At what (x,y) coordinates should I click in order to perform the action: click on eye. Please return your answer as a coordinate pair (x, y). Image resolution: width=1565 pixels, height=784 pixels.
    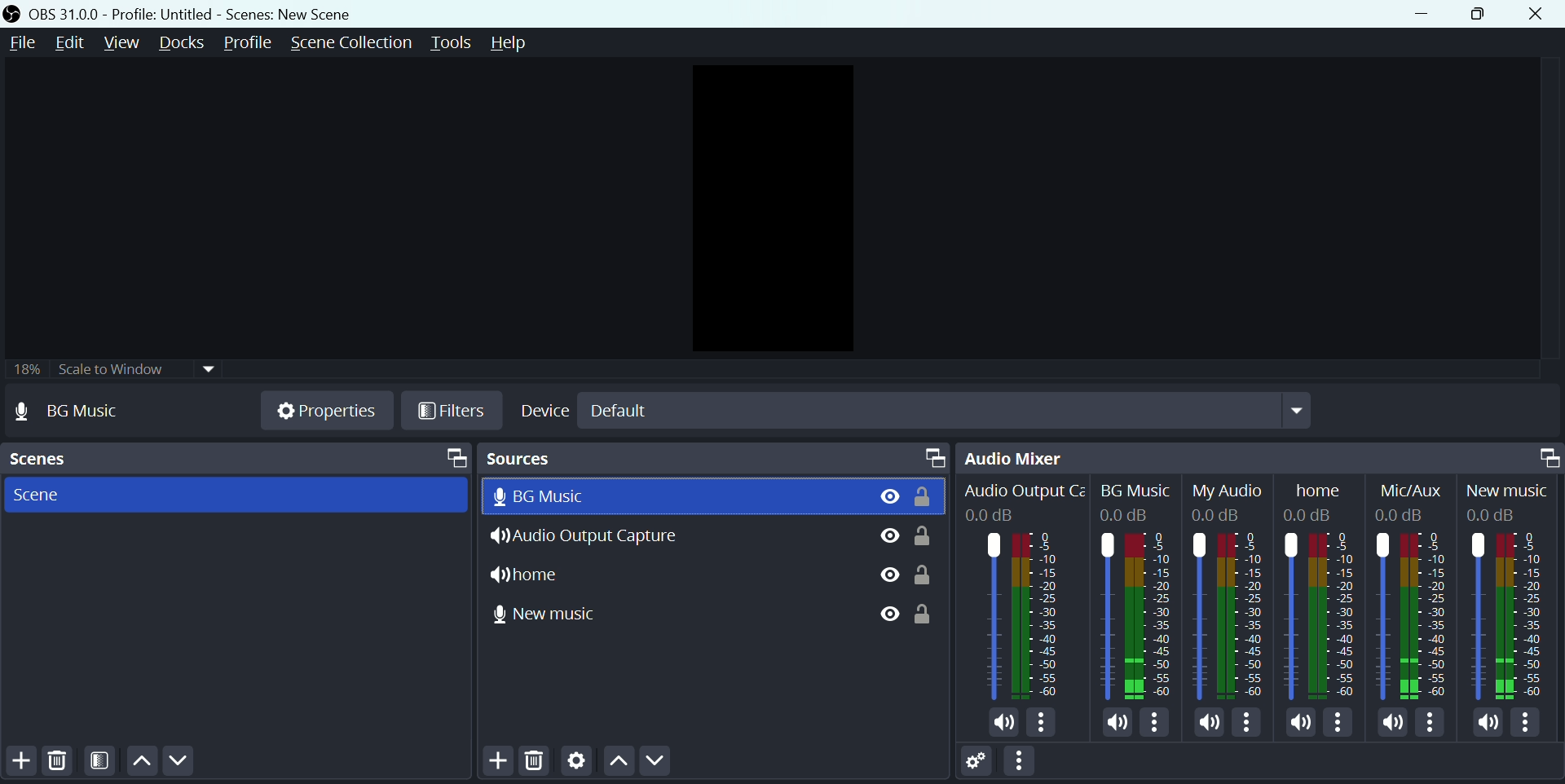
    Looking at the image, I should click on (884, 574).